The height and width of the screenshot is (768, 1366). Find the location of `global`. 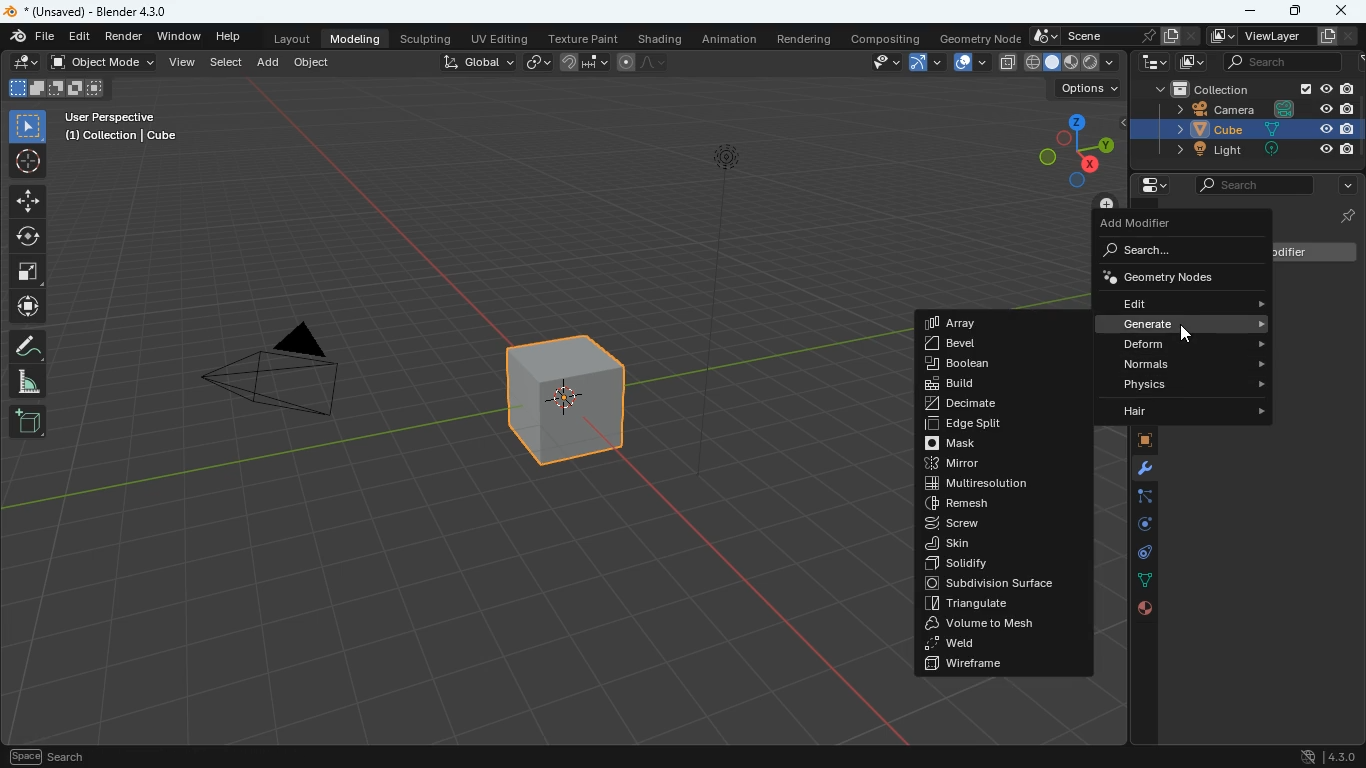

global is located at coordinates (477, 64).